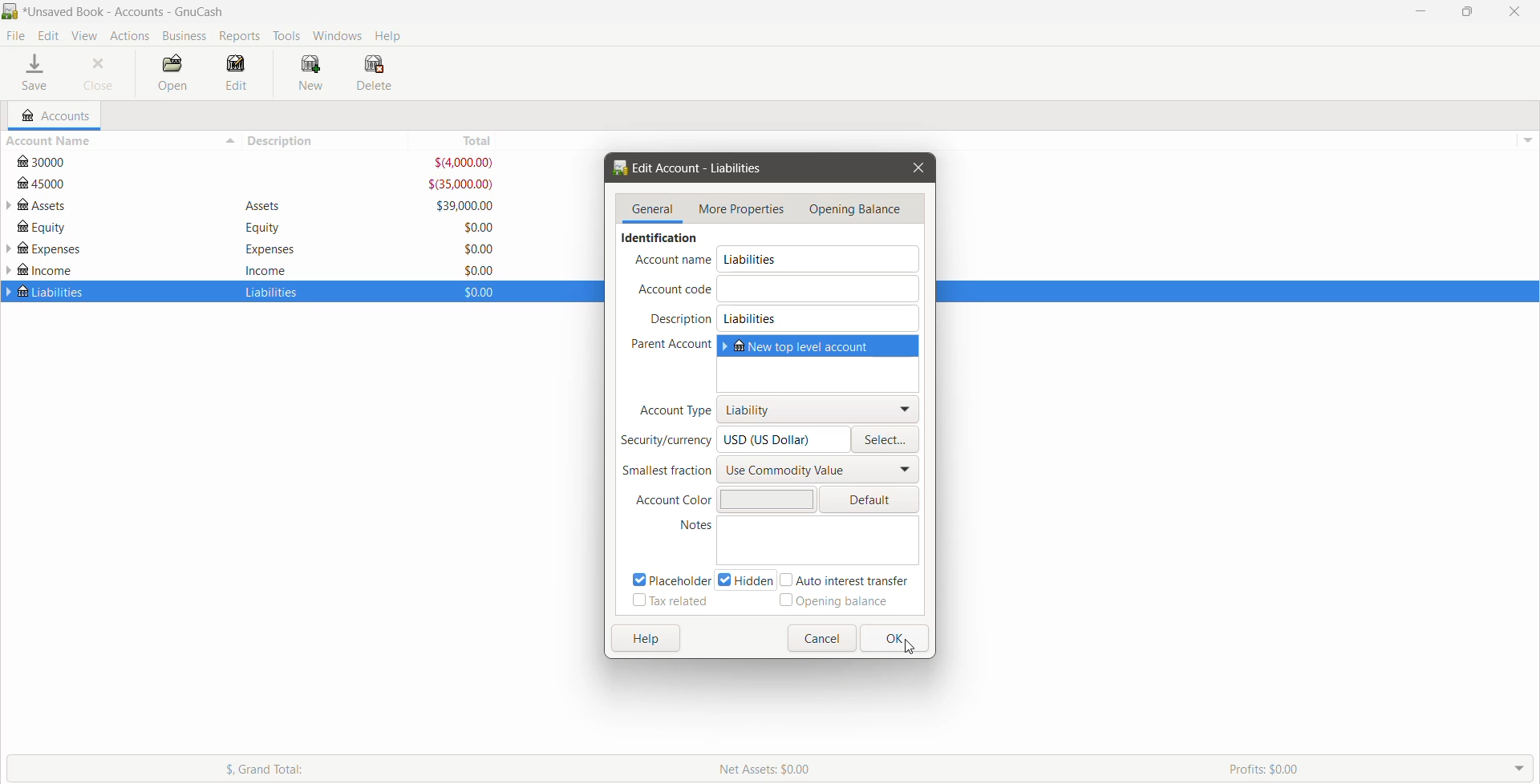 The width and height of the screenshot is (1540, 784). What do you see at coordinates (338, 34) in the screenshot?
I see `Windows` at bounding box center [338, 34].